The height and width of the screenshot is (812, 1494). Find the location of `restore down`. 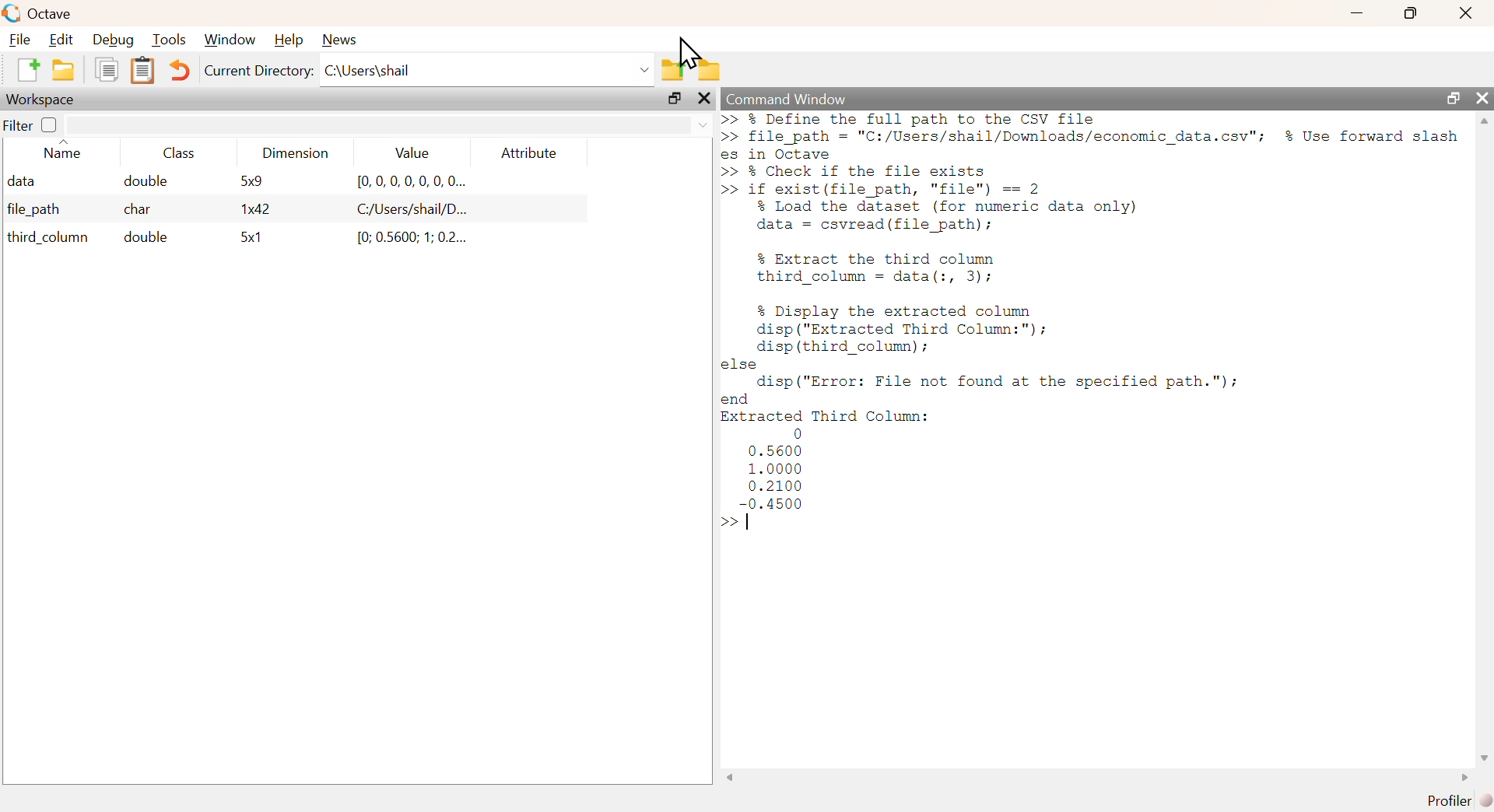

restore down is located at coordinates (1404, 13).